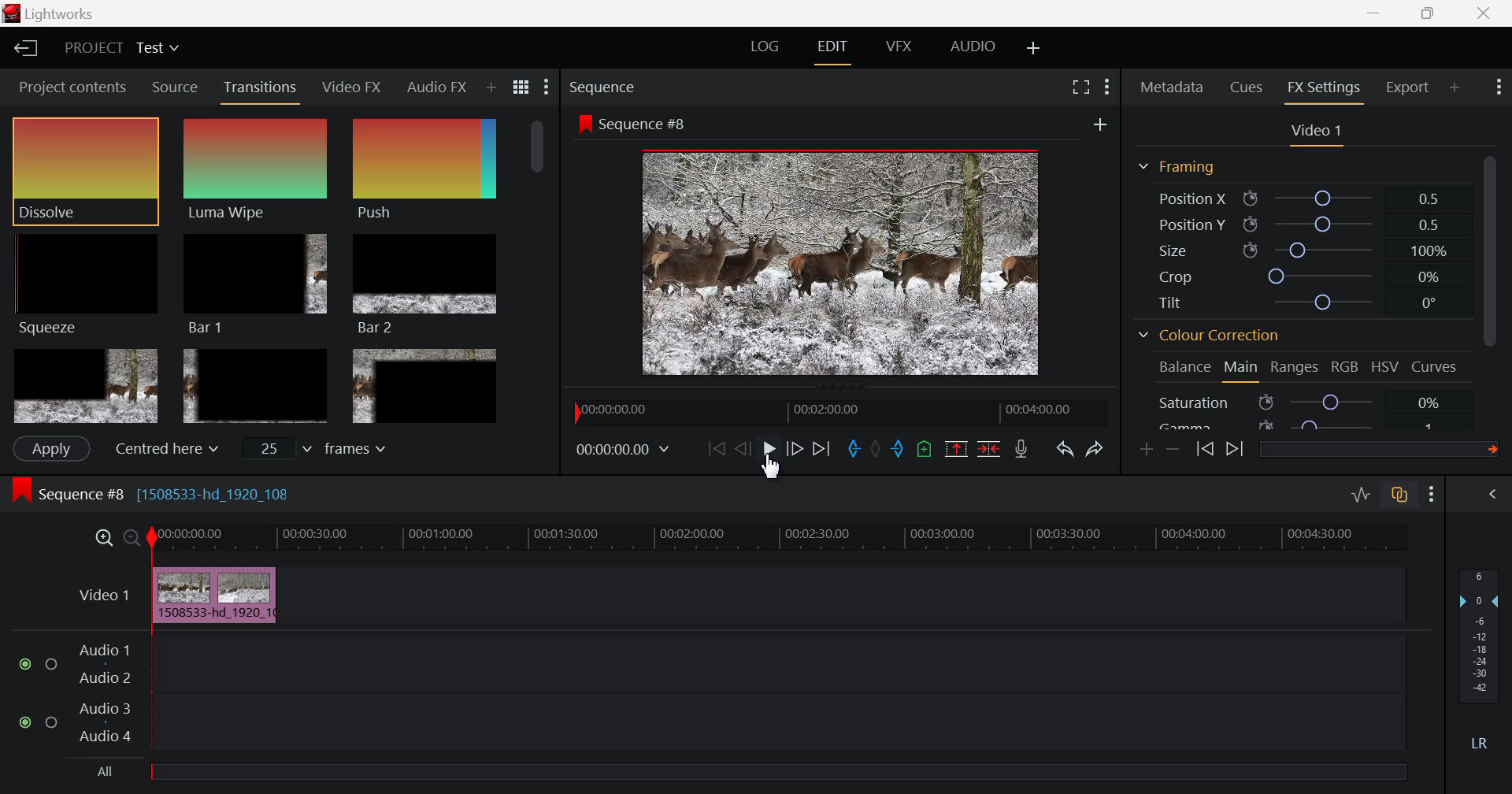 Image resolution: width=1512 pixels, height=794 pixels. I want to click on Dissolve Effect, so click(85, 171).